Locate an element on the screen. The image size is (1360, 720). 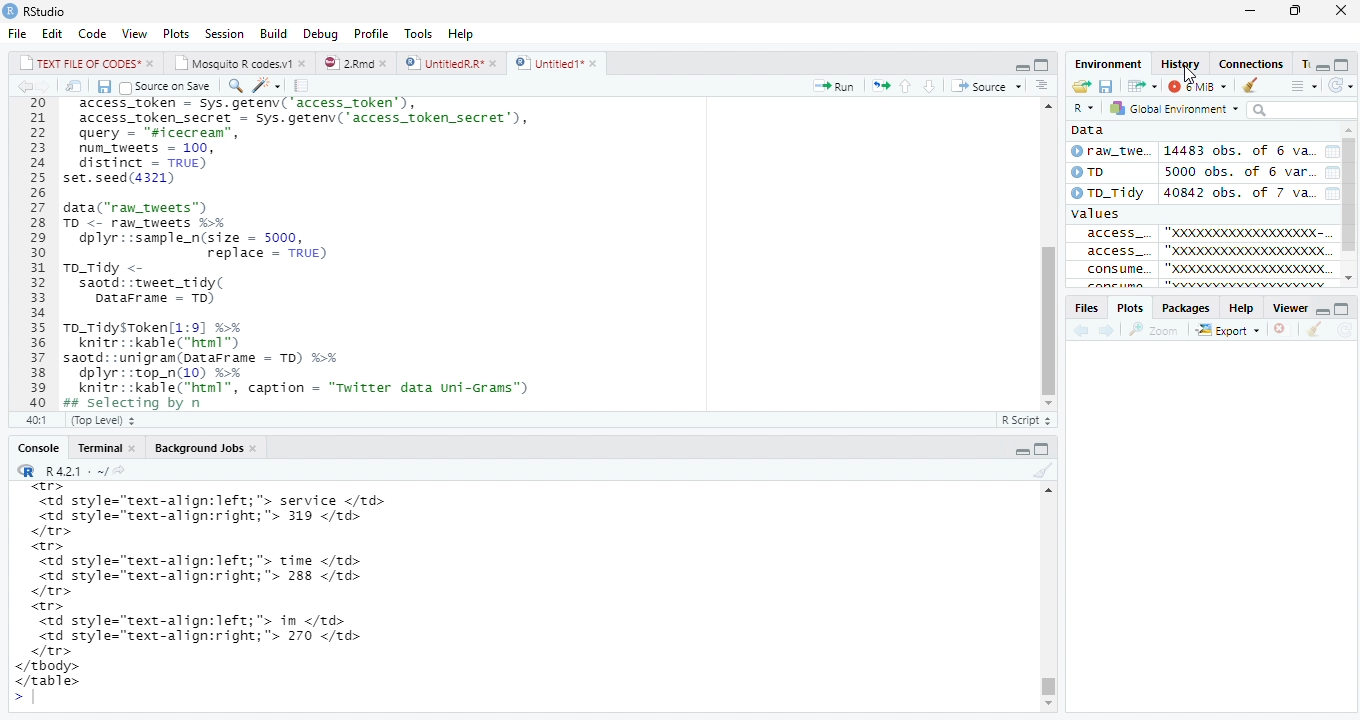
find replace is located at coordinates (237, 85).